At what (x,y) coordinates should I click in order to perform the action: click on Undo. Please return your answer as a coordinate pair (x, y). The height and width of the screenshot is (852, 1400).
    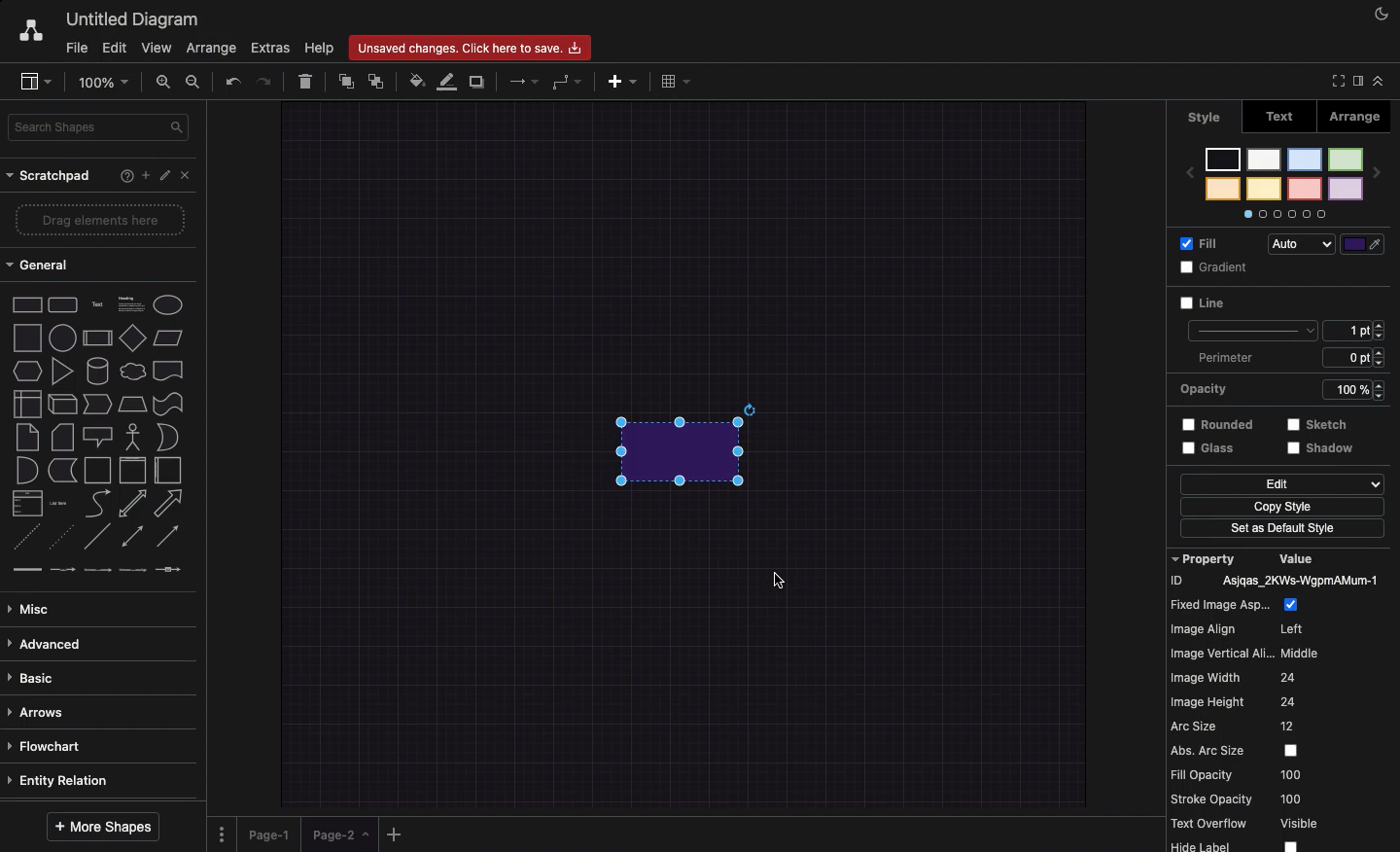
    Looking at the image, I should click on (231, 80).